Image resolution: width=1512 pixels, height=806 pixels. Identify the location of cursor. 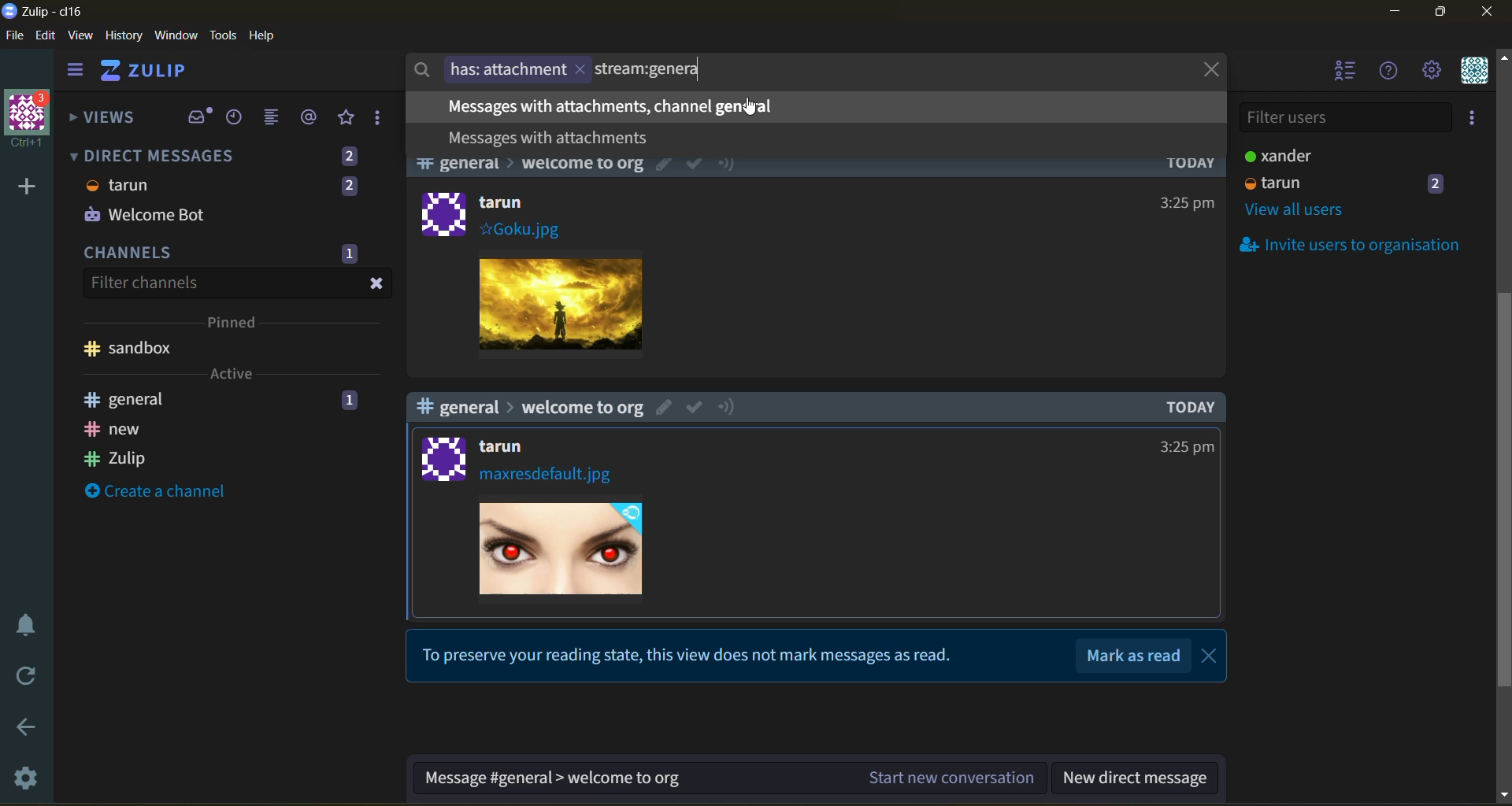
(753, 109).